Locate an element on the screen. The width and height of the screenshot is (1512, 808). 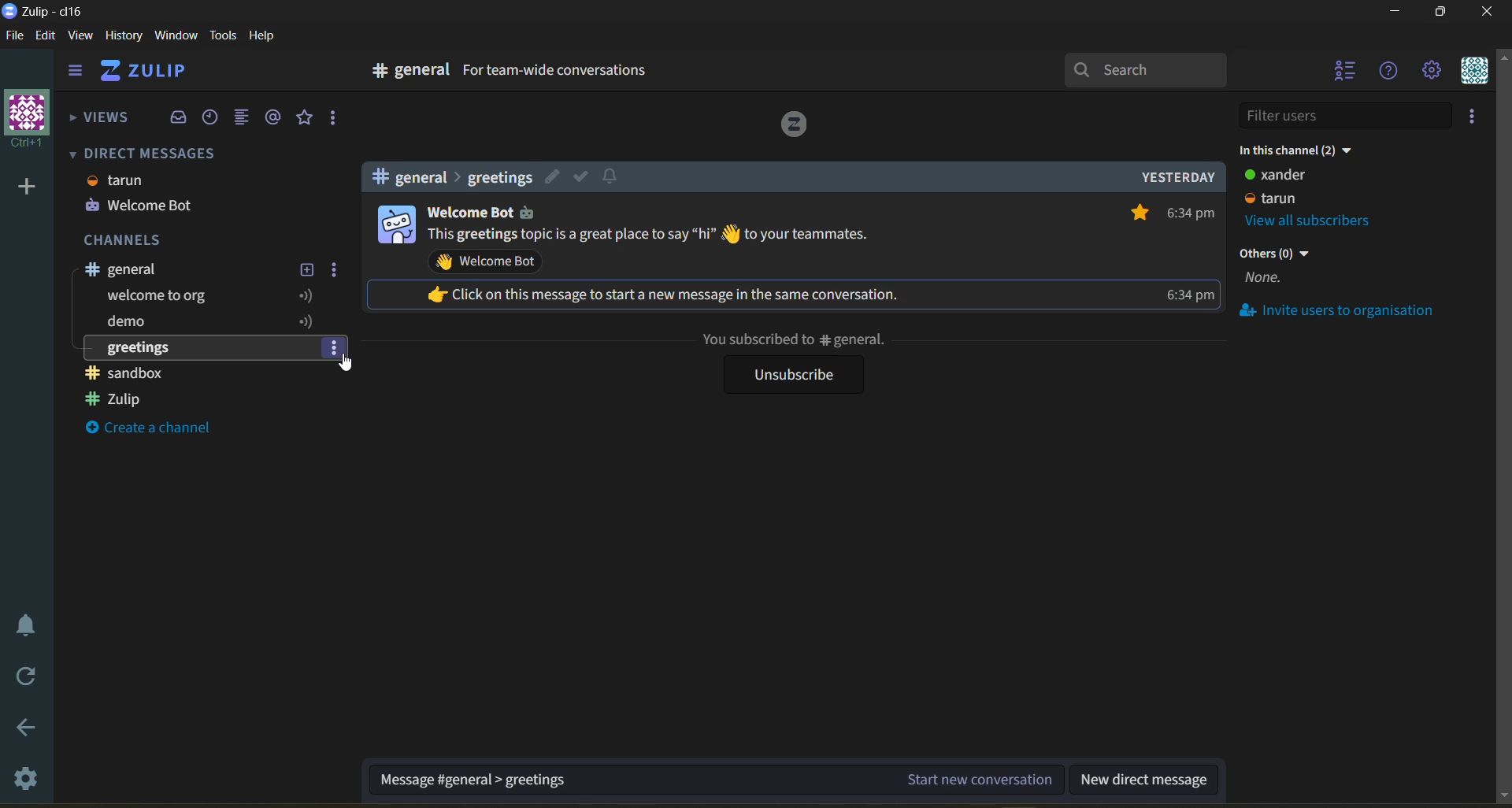
add  a new organisation is located at coordinates (28, 191).